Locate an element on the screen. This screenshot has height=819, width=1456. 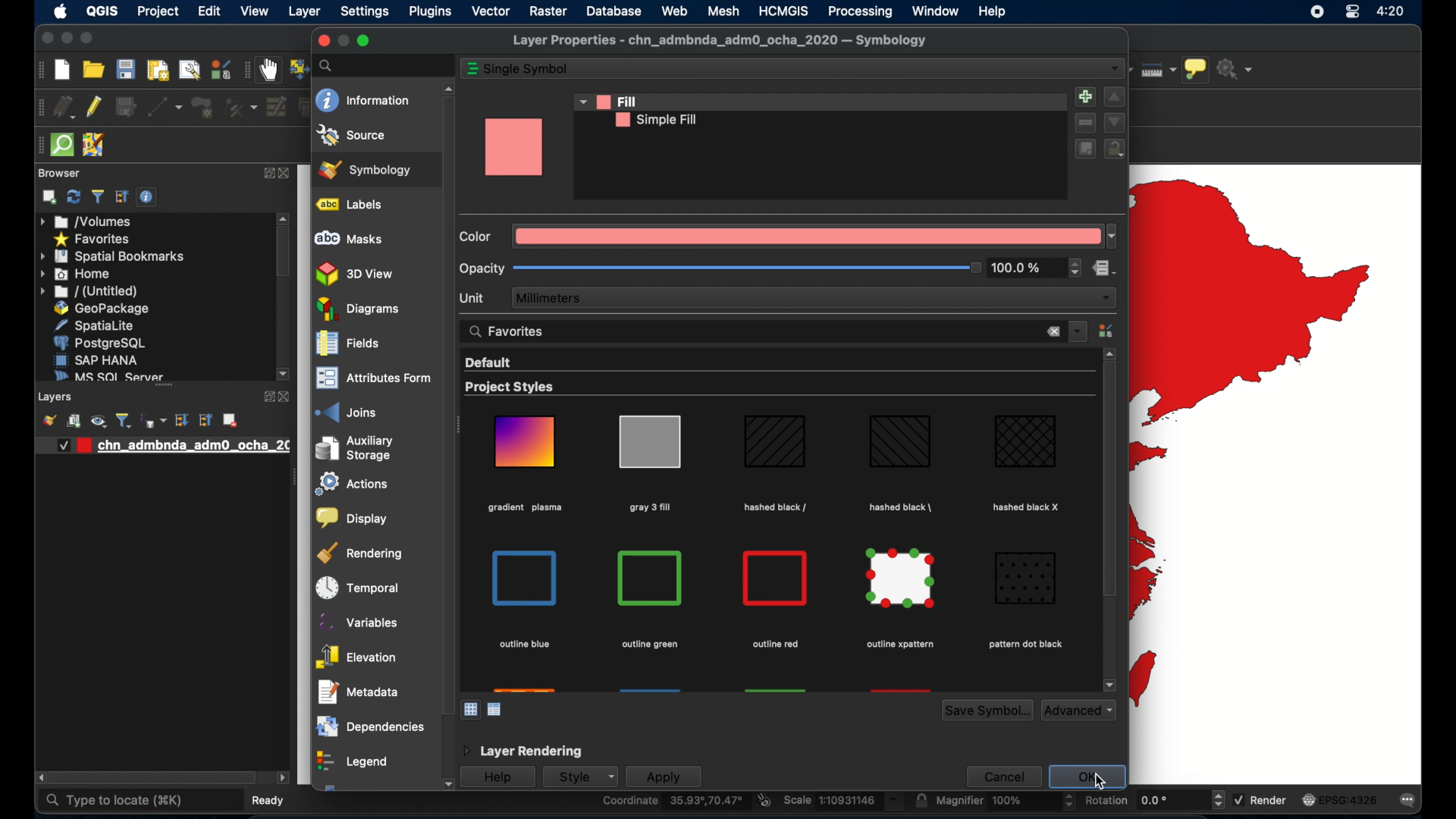
single symbol dropdown menu is located at coordinates (1115, 69).